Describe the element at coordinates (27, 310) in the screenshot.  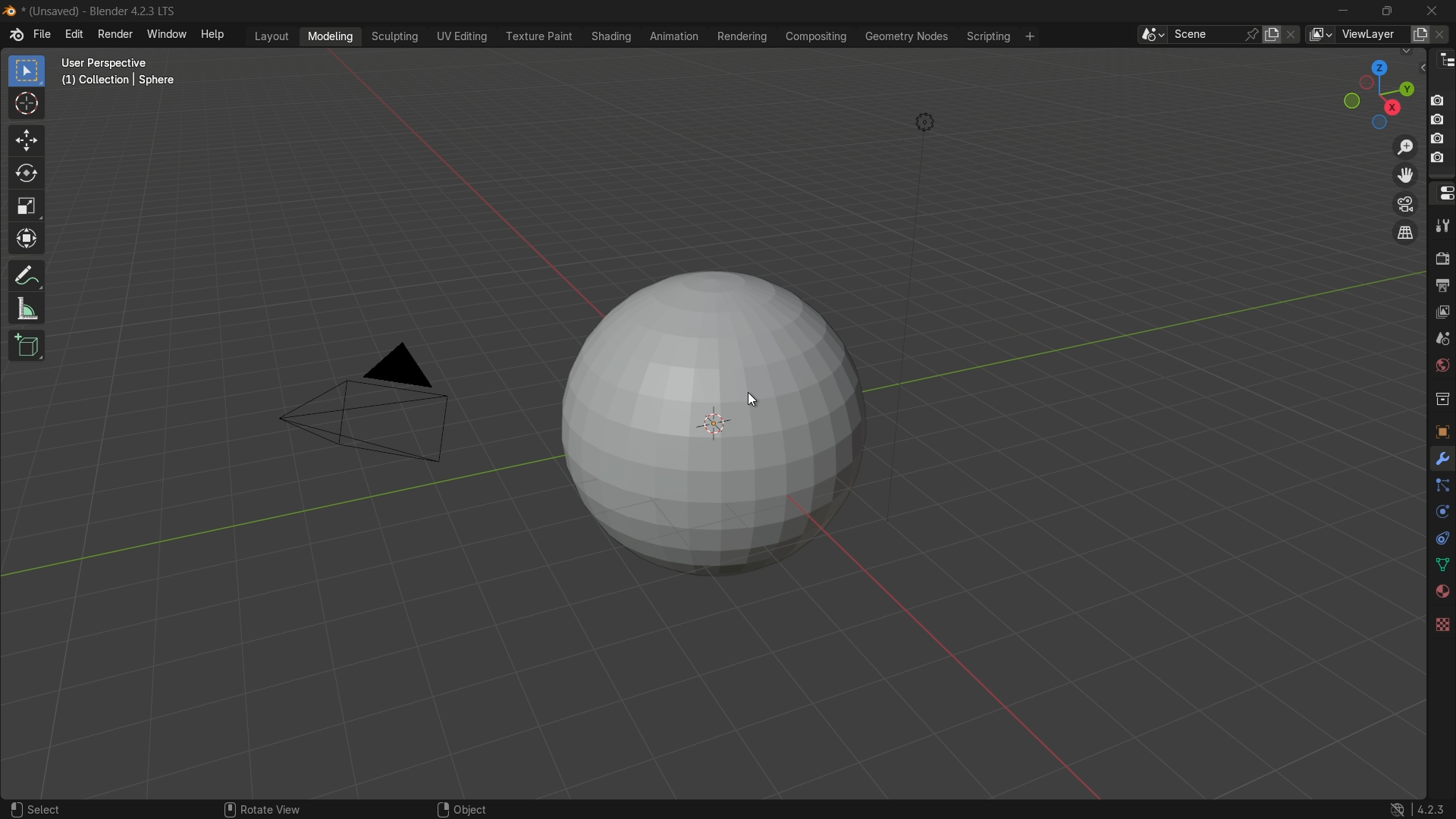
I see `measure` at that location.